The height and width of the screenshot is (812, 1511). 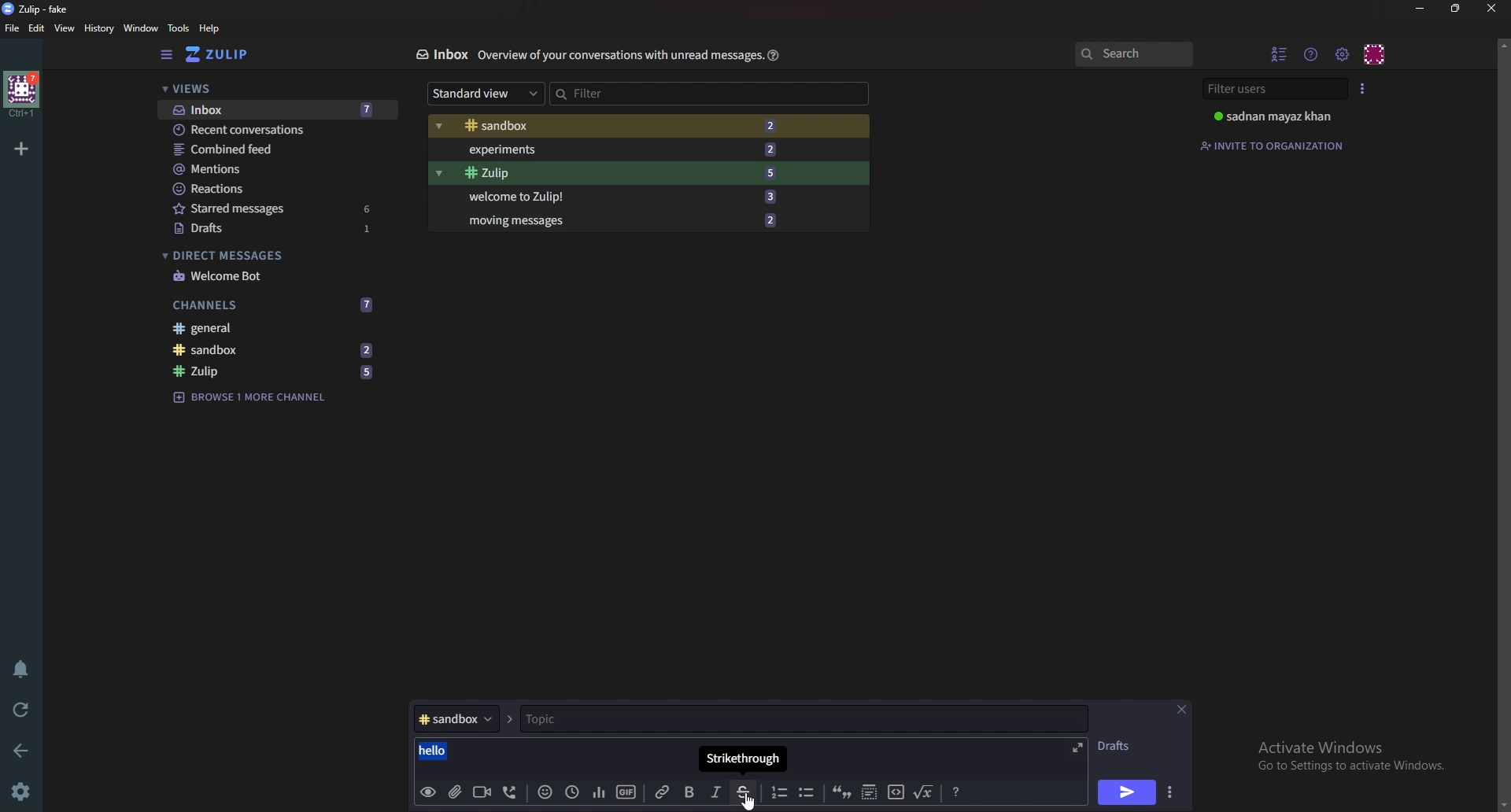 What do you see at coordinates (1454, 9) in the screenshot?
I see `resize` at bounding box center [1454, 9].